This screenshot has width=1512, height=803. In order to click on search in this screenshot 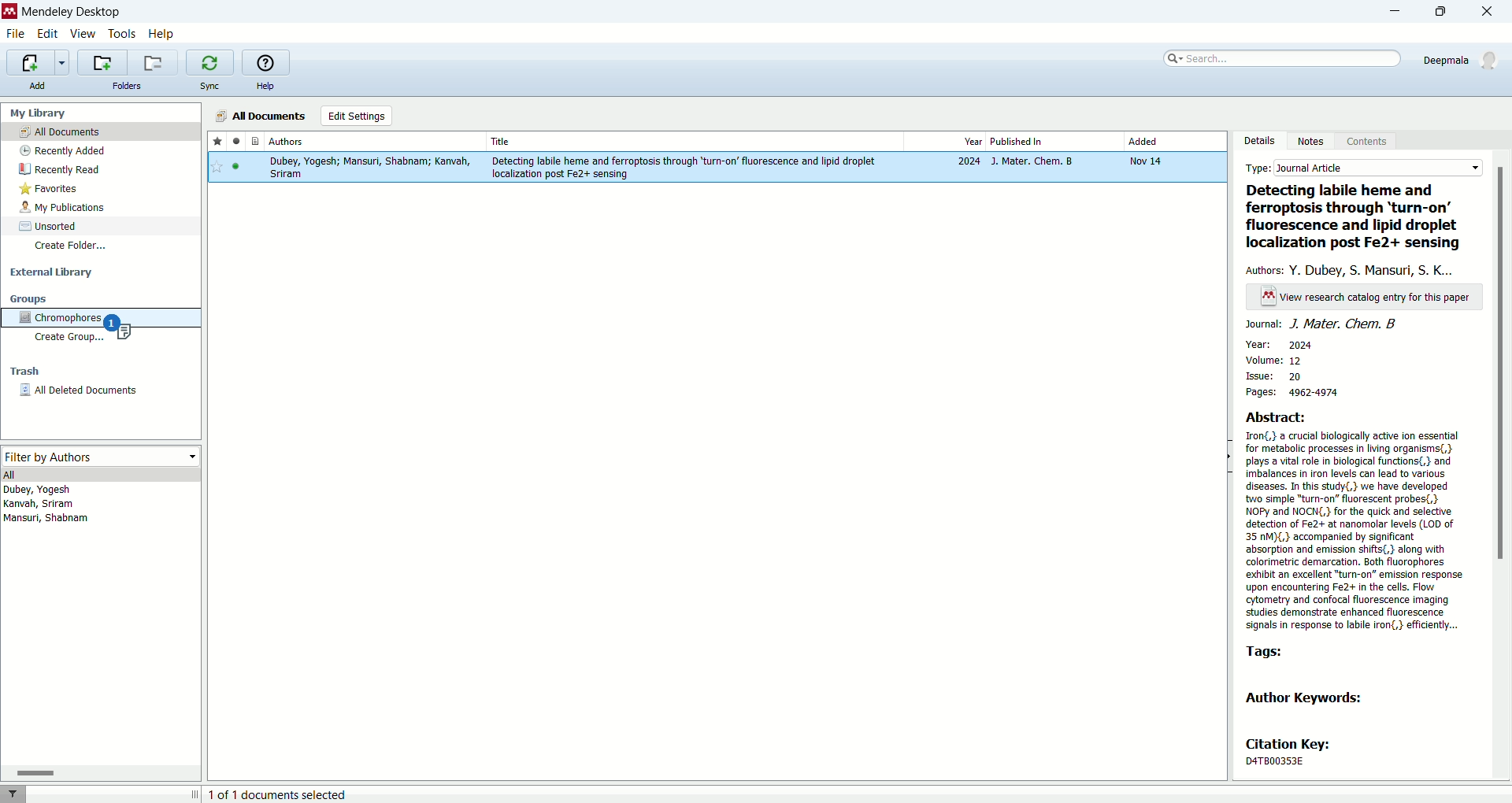, I will do `click(1284, 57)`.